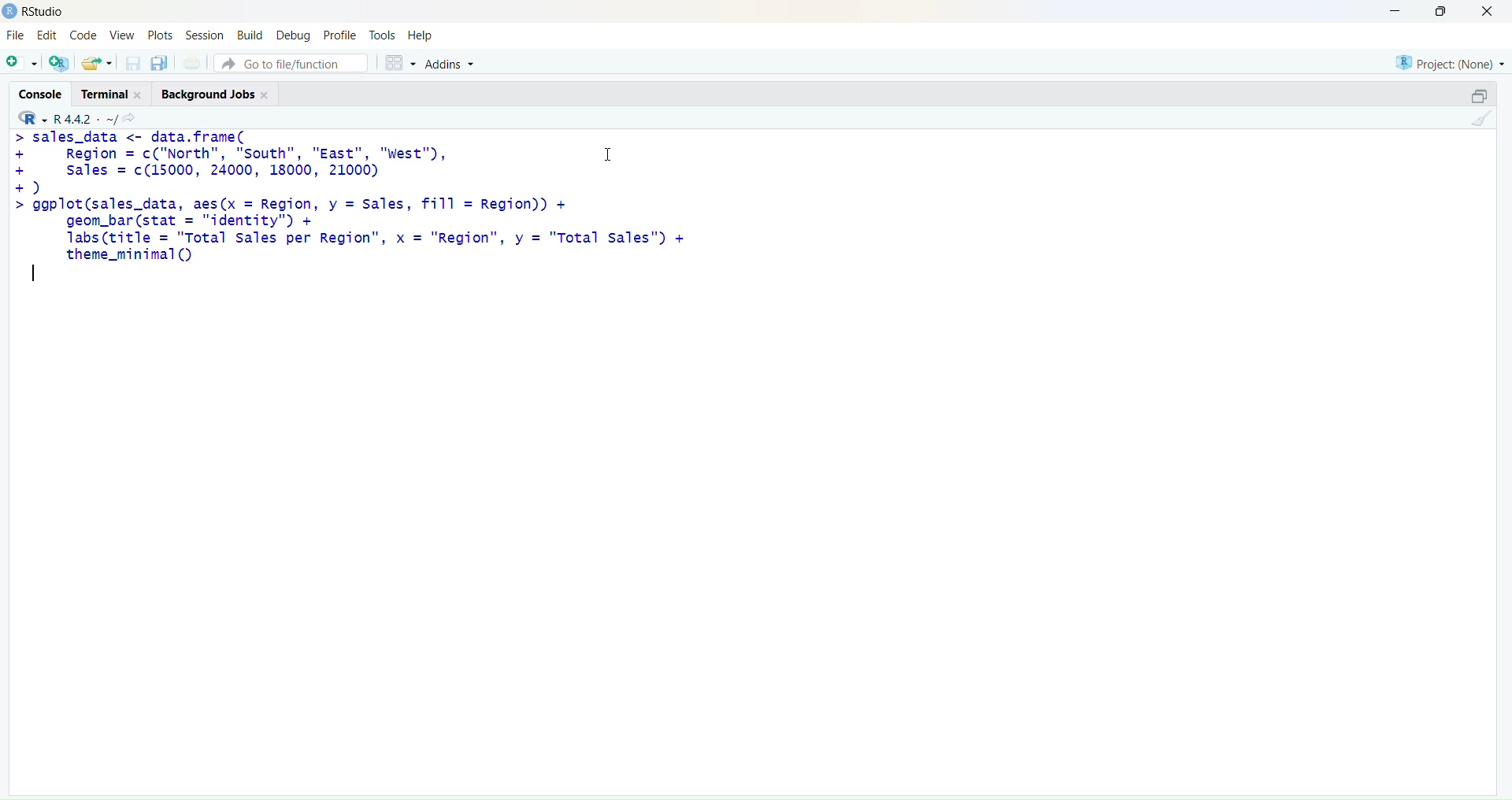 The image size is (1512, 800). Describe the element at coordinates (60, 65) in the screenshot. I see `add multiple scripts` at that location.